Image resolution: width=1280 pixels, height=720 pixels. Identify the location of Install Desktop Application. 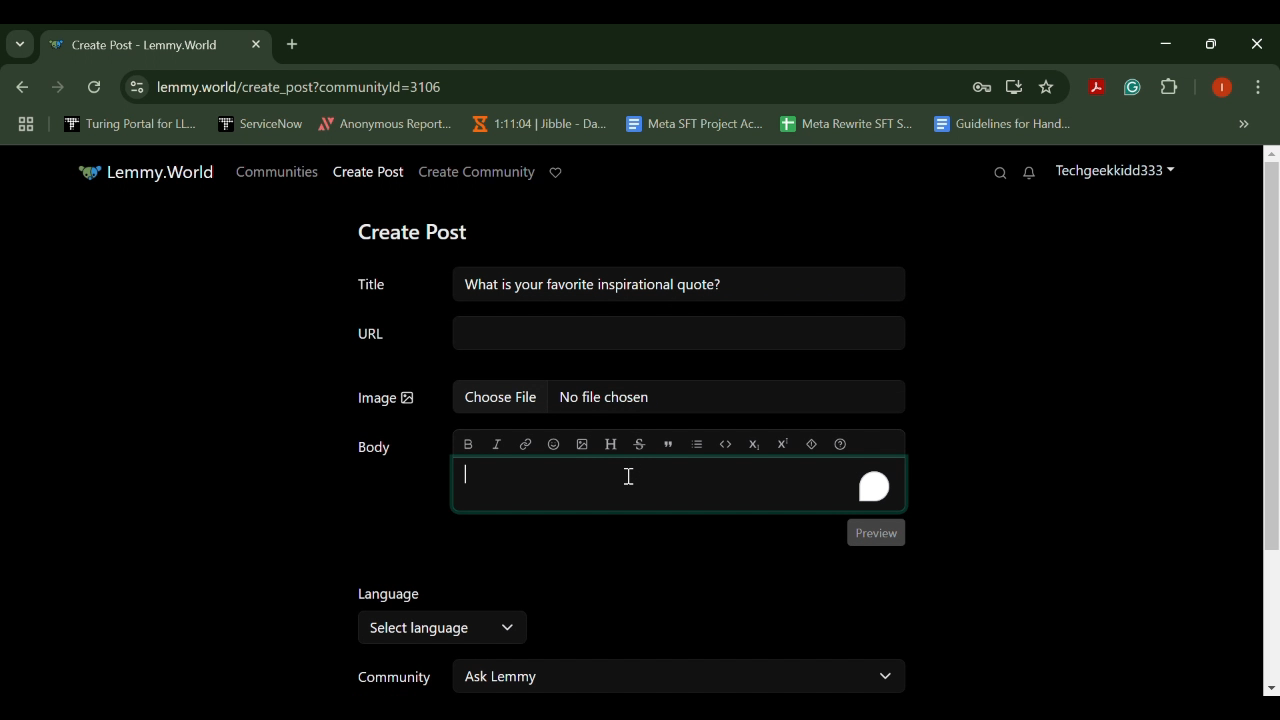
(1013, 87).